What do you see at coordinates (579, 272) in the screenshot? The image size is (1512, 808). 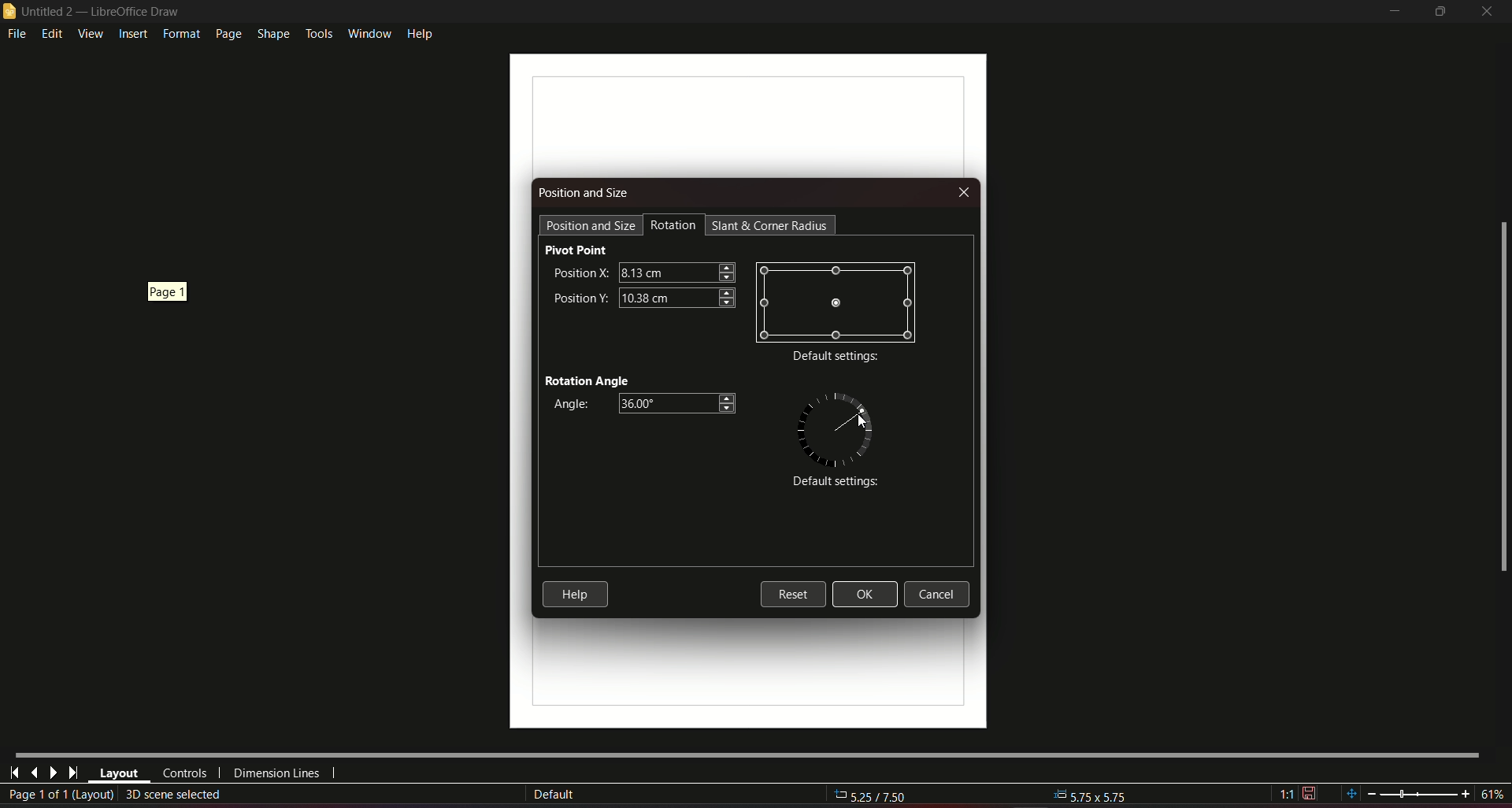 I see `Position X` at bounding box center [579, 272].